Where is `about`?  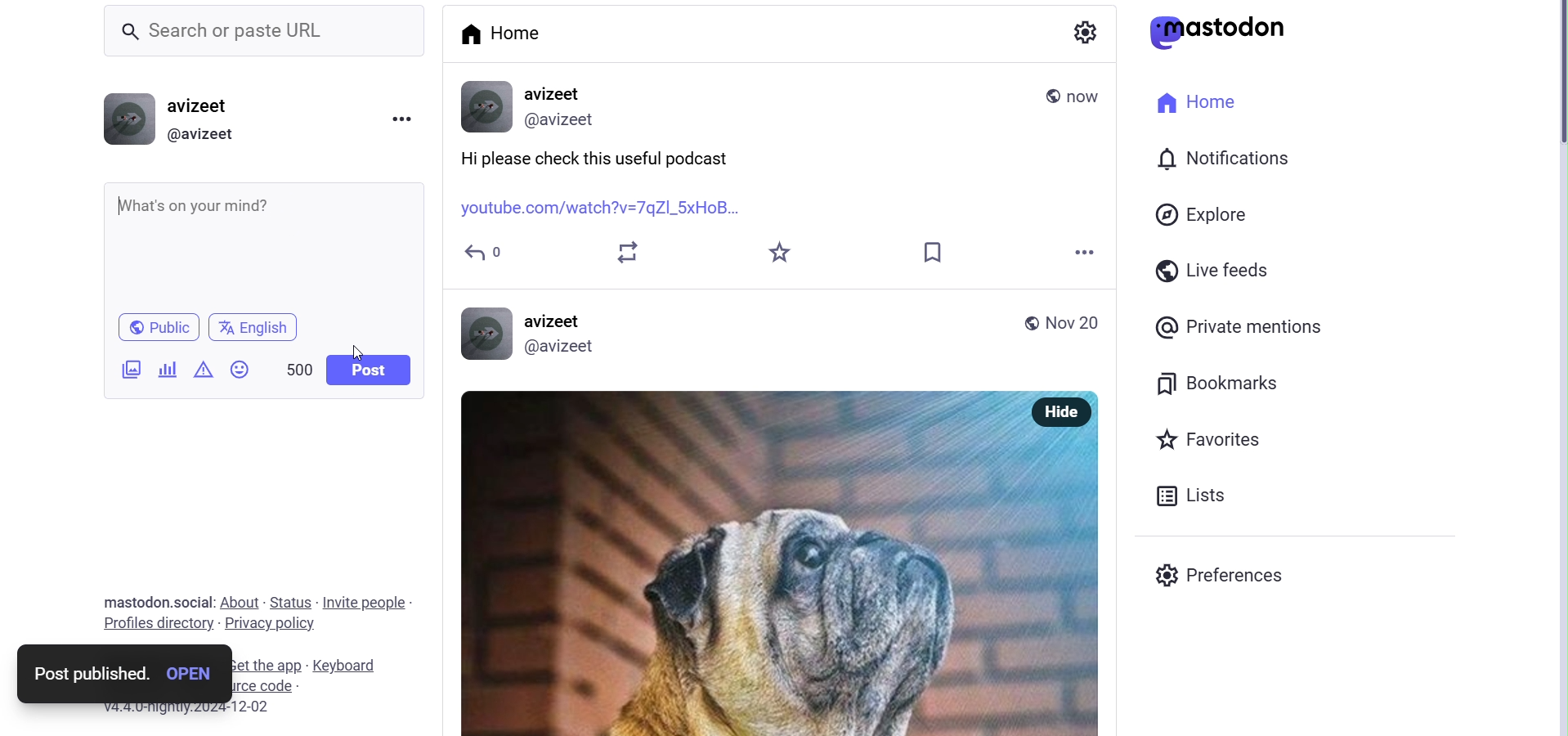 about is located at coordinates (239, 602).